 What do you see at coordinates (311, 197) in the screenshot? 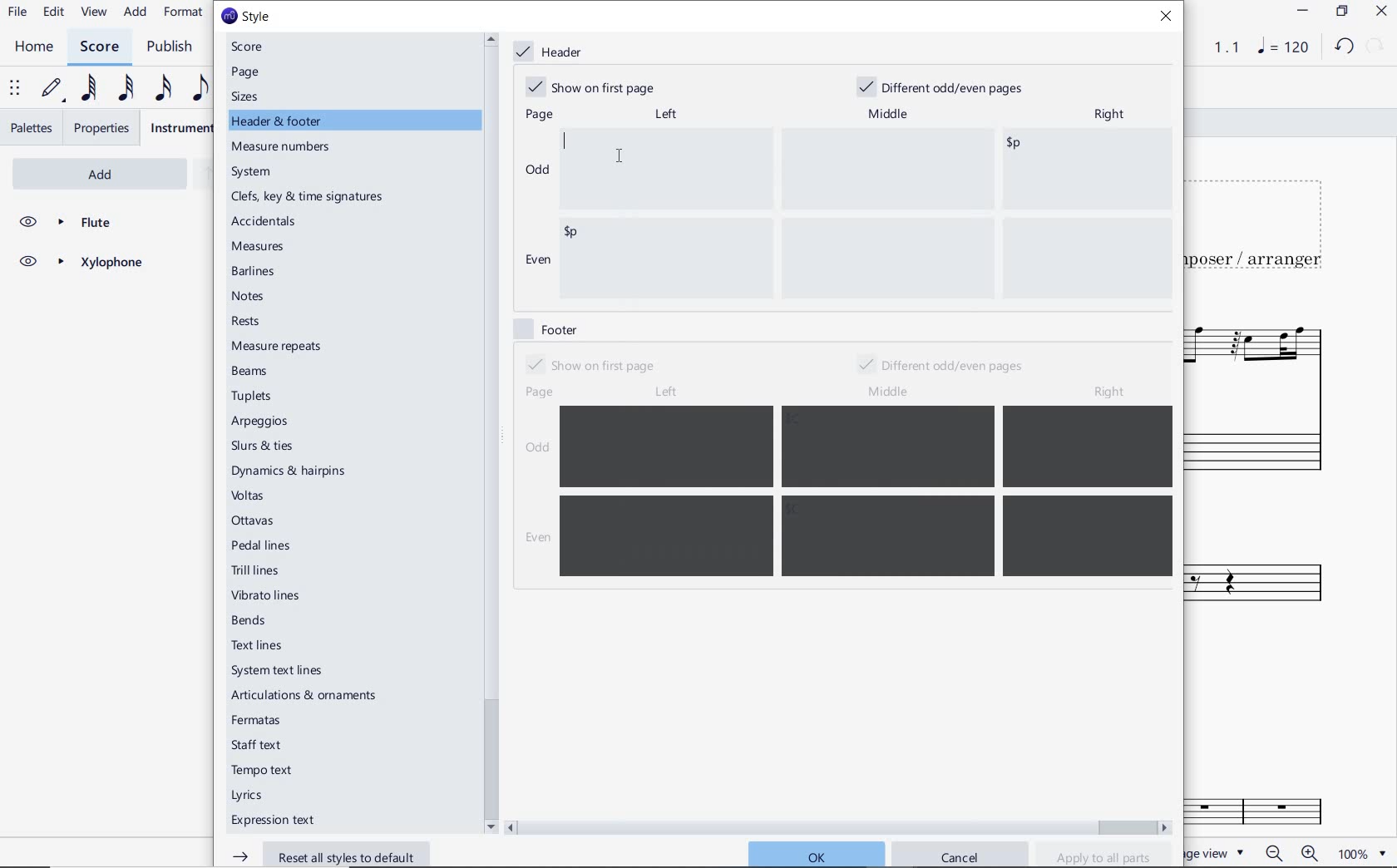
I see `clefs, key & time signatures` at bounding box center [311, 197].